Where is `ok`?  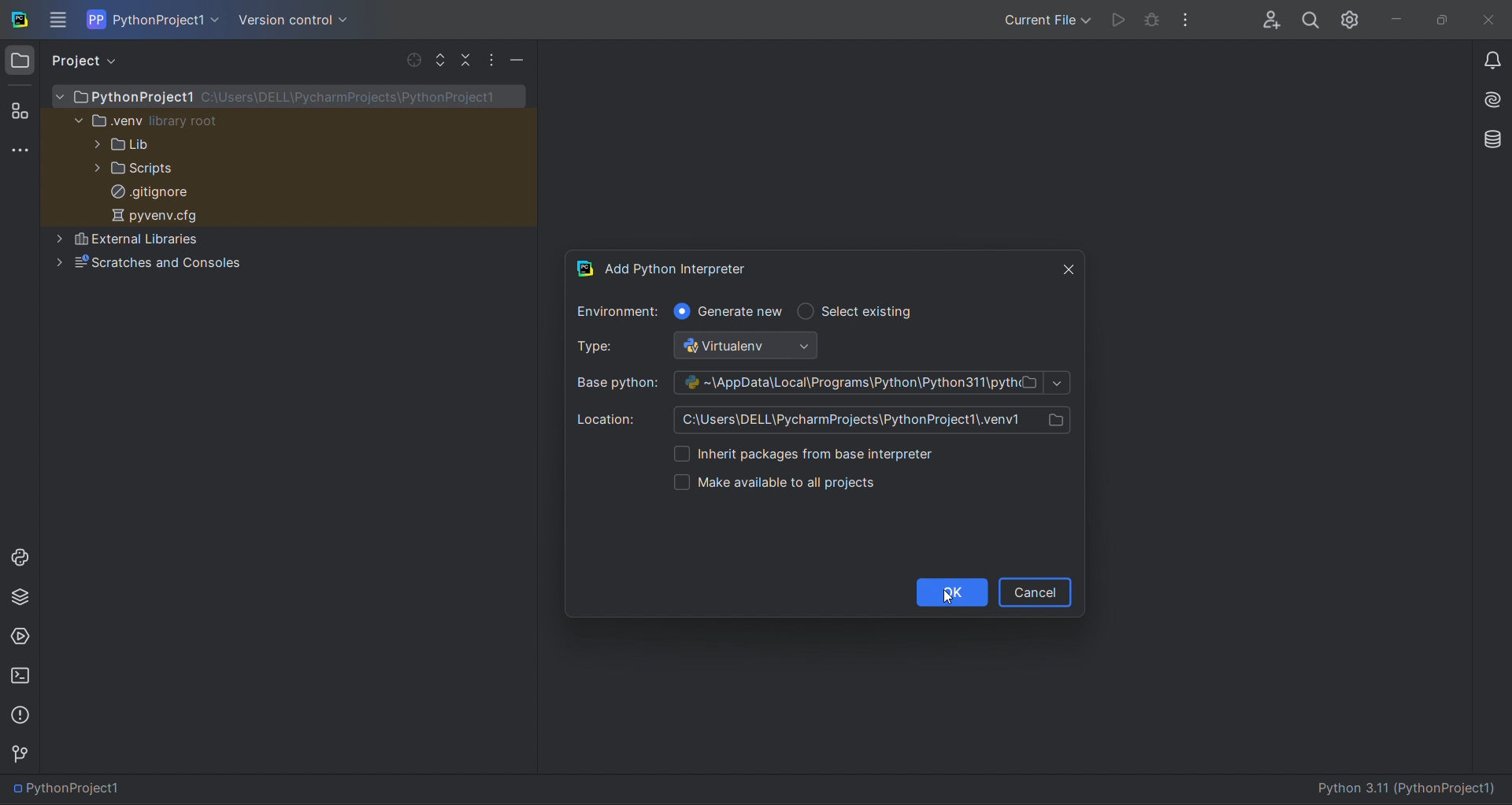 ok is located at coordinates (951, 593).